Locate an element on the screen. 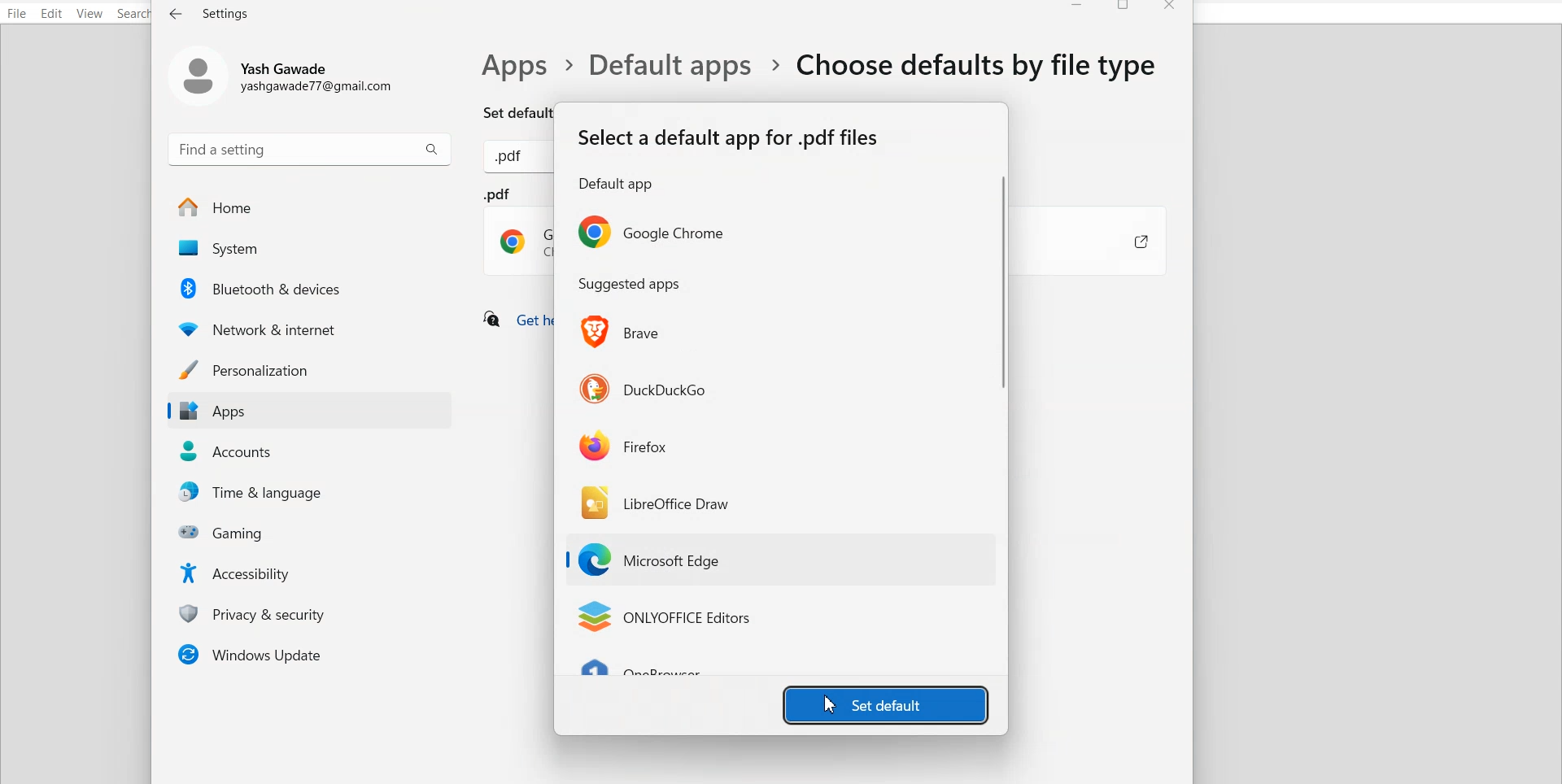  Vertical scroll bar is located at coordinates (1004, 422).